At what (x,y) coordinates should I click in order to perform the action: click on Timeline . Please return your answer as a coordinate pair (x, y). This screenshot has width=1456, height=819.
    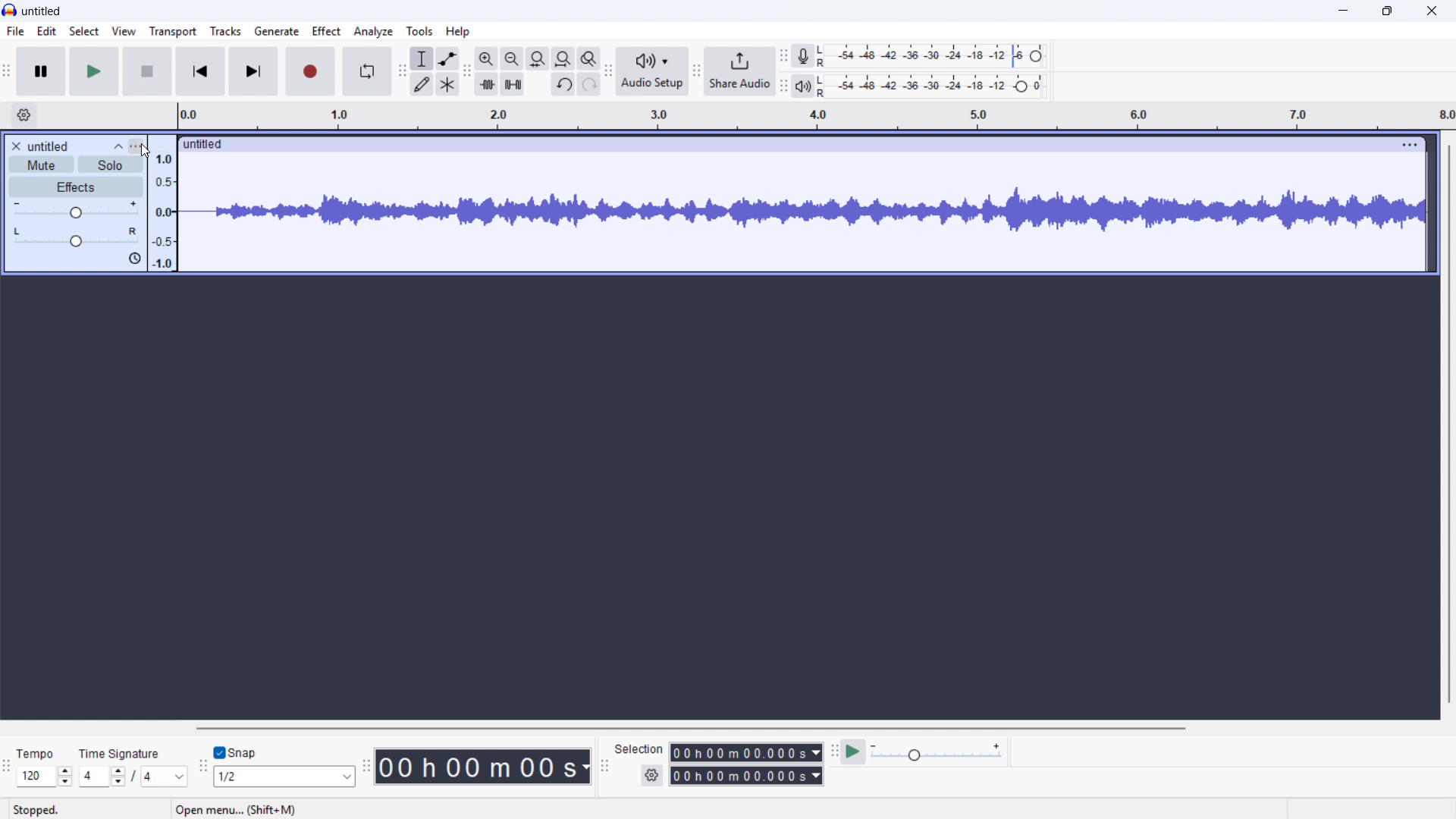
    Looking at the image, I should click on (810, 115).